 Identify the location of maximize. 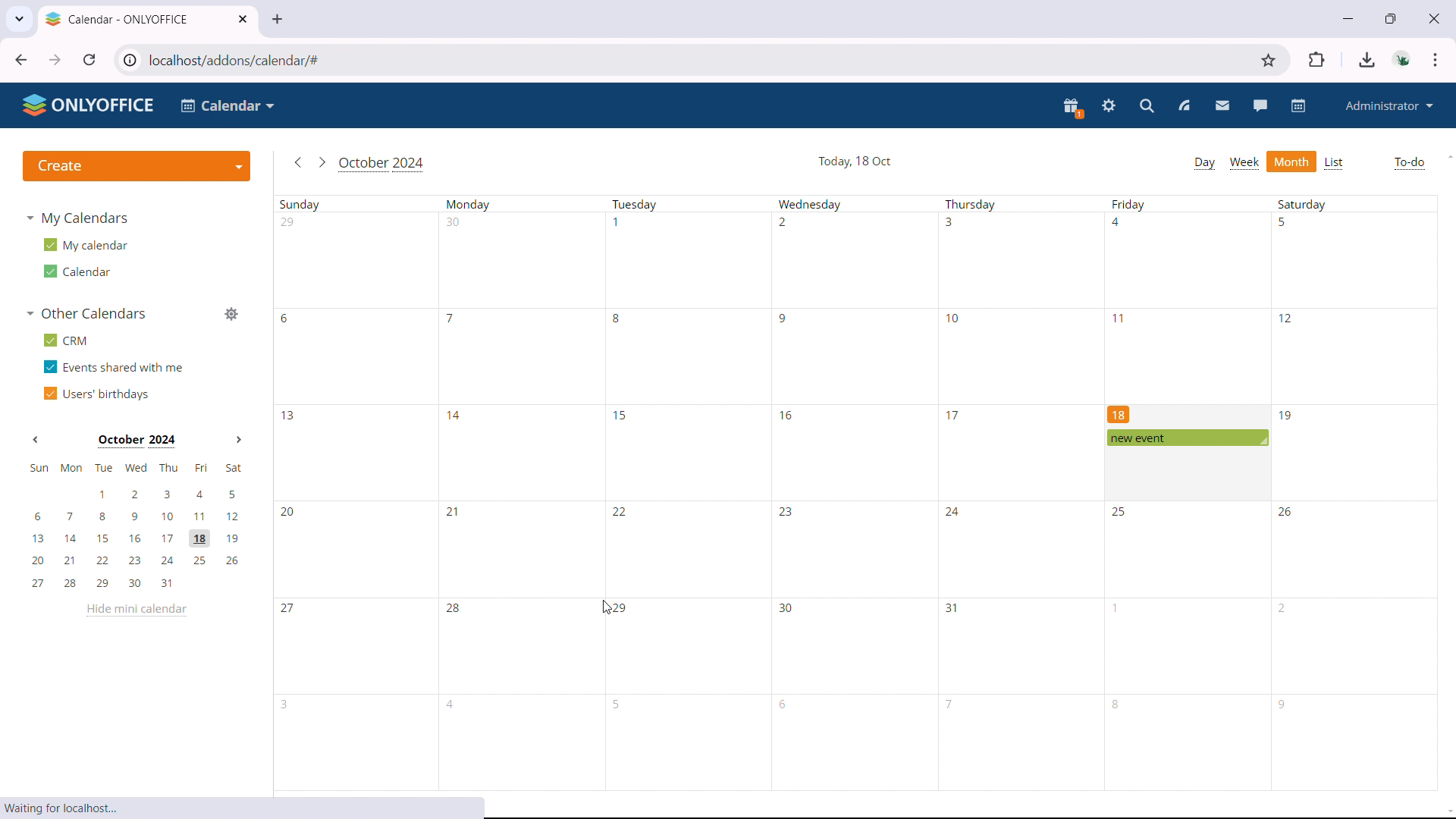
(1391, 17).